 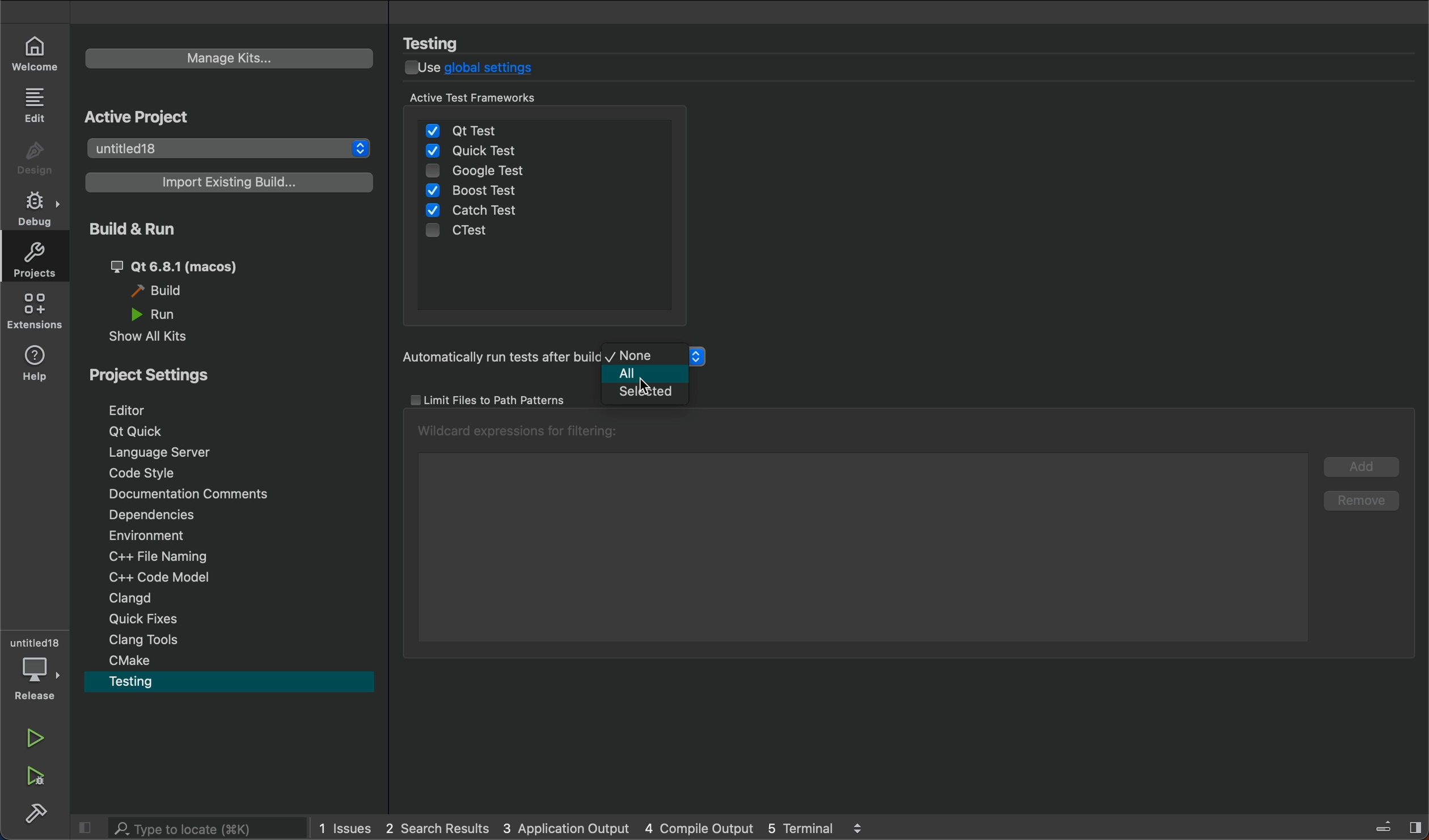 I want to click on testing , so click(x=149, y=680).